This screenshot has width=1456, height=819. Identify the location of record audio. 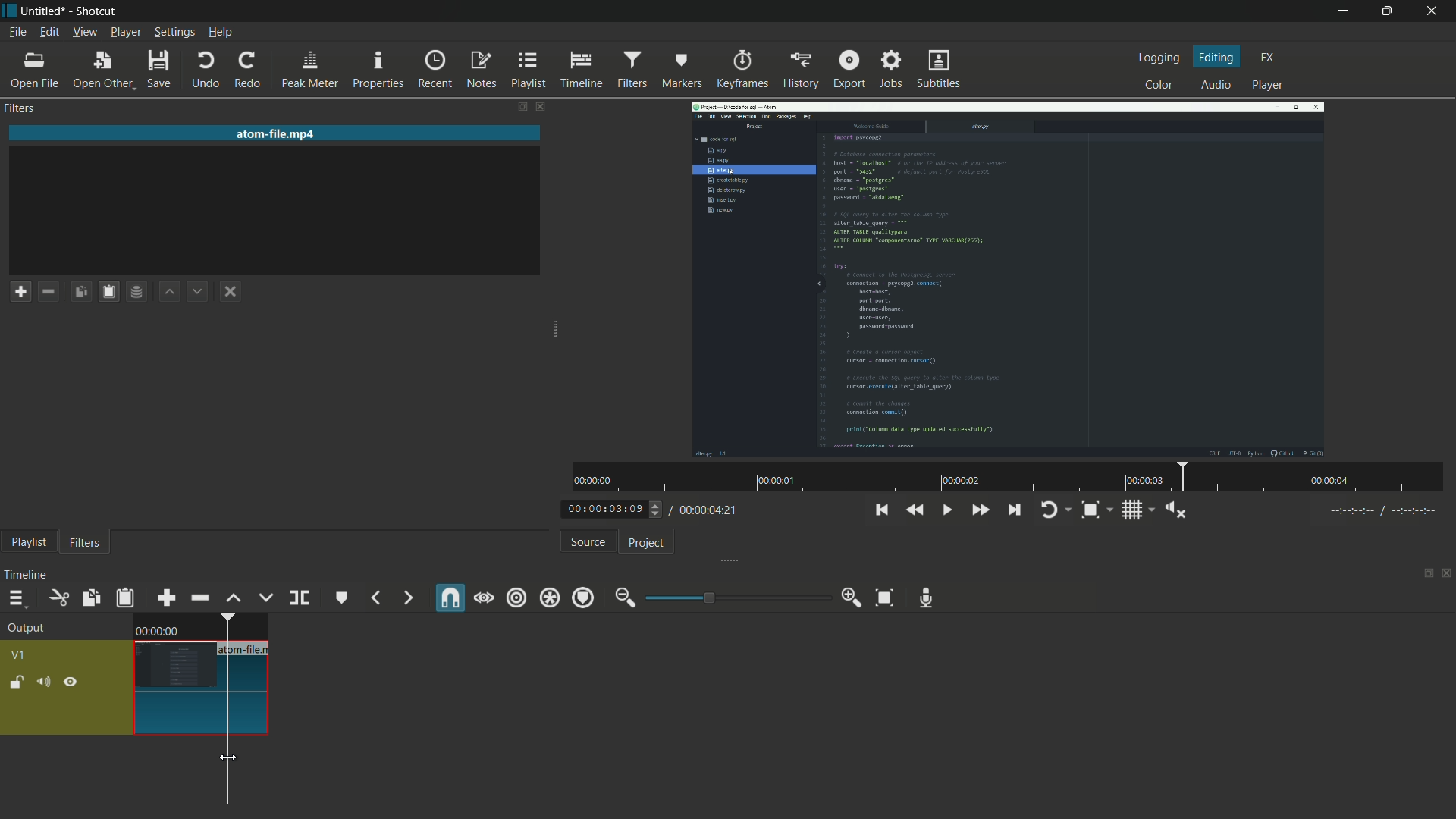
(925, 598).